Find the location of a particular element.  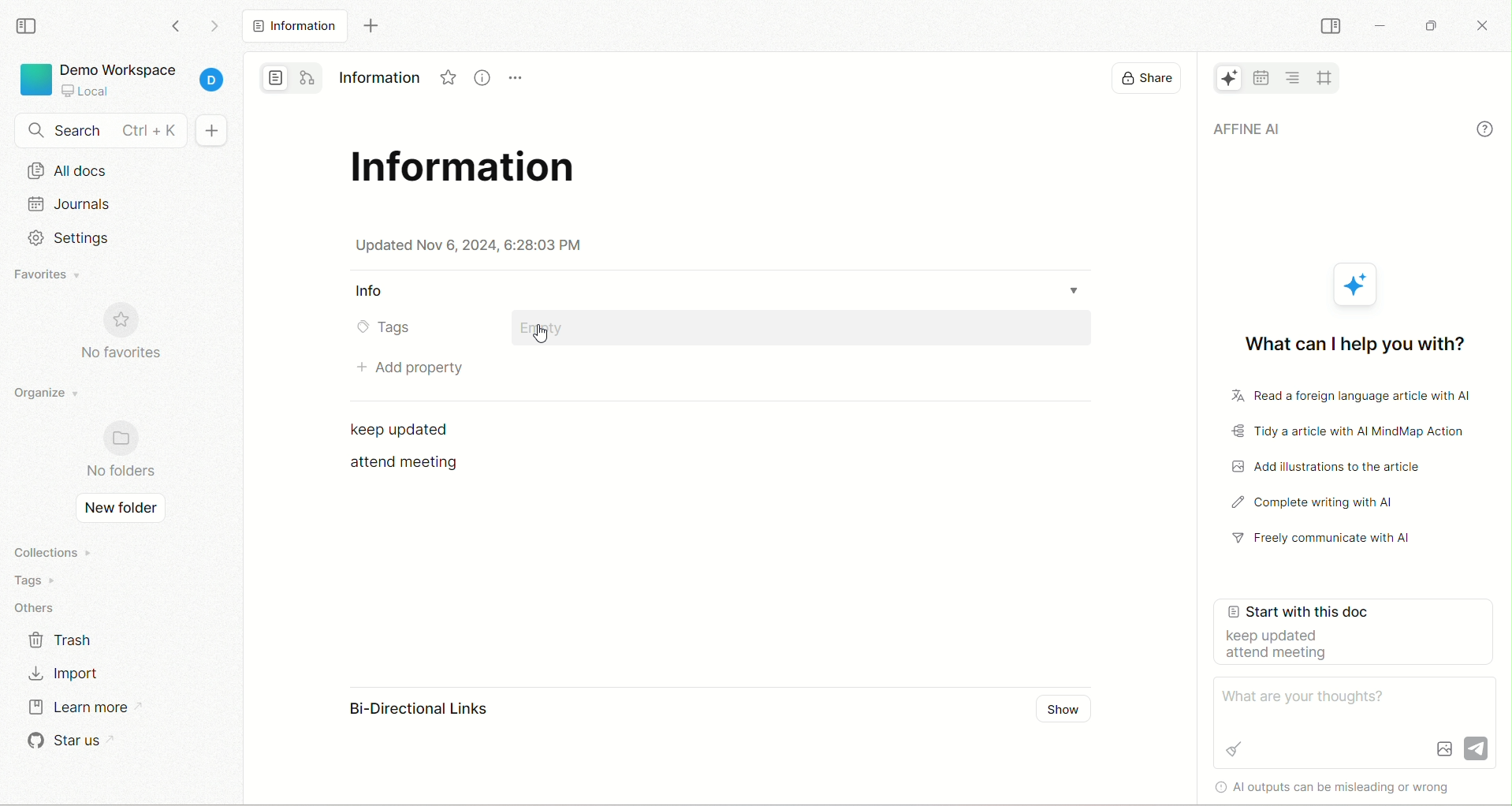

edgeless mode is located at coordinates (307, 77).